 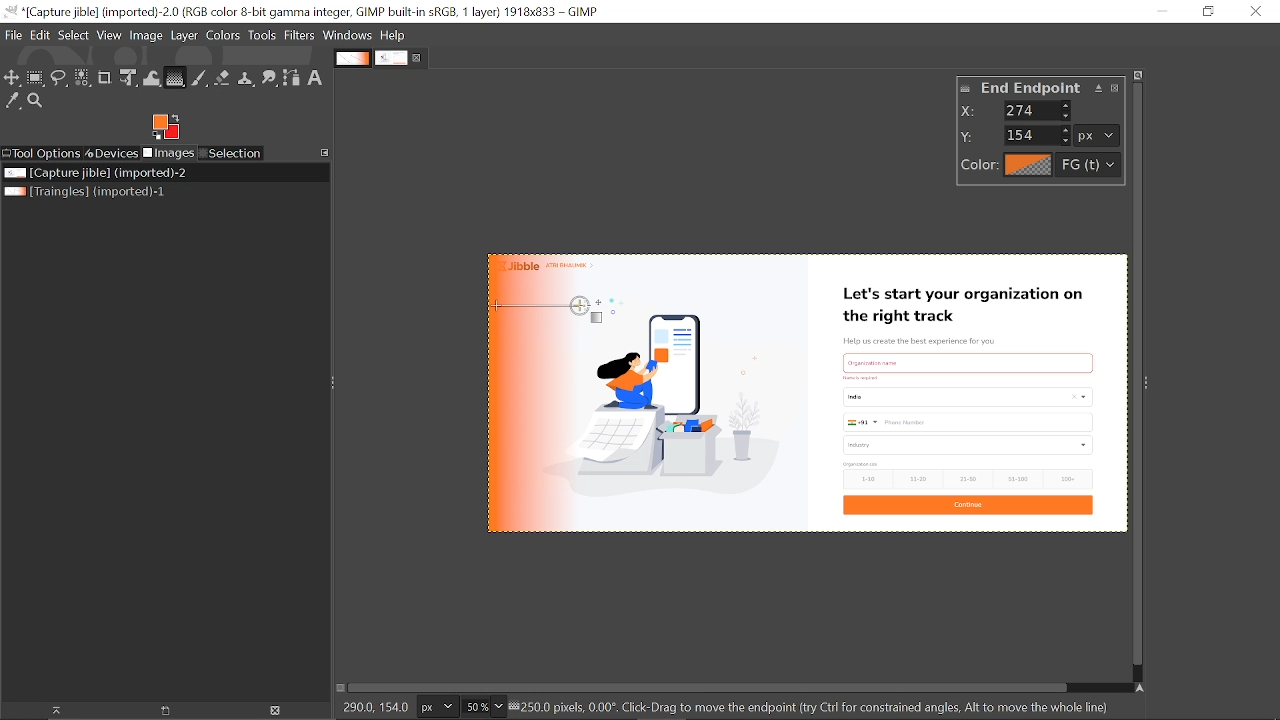 I want to click on Restore down, so click(x=1210, y=12).